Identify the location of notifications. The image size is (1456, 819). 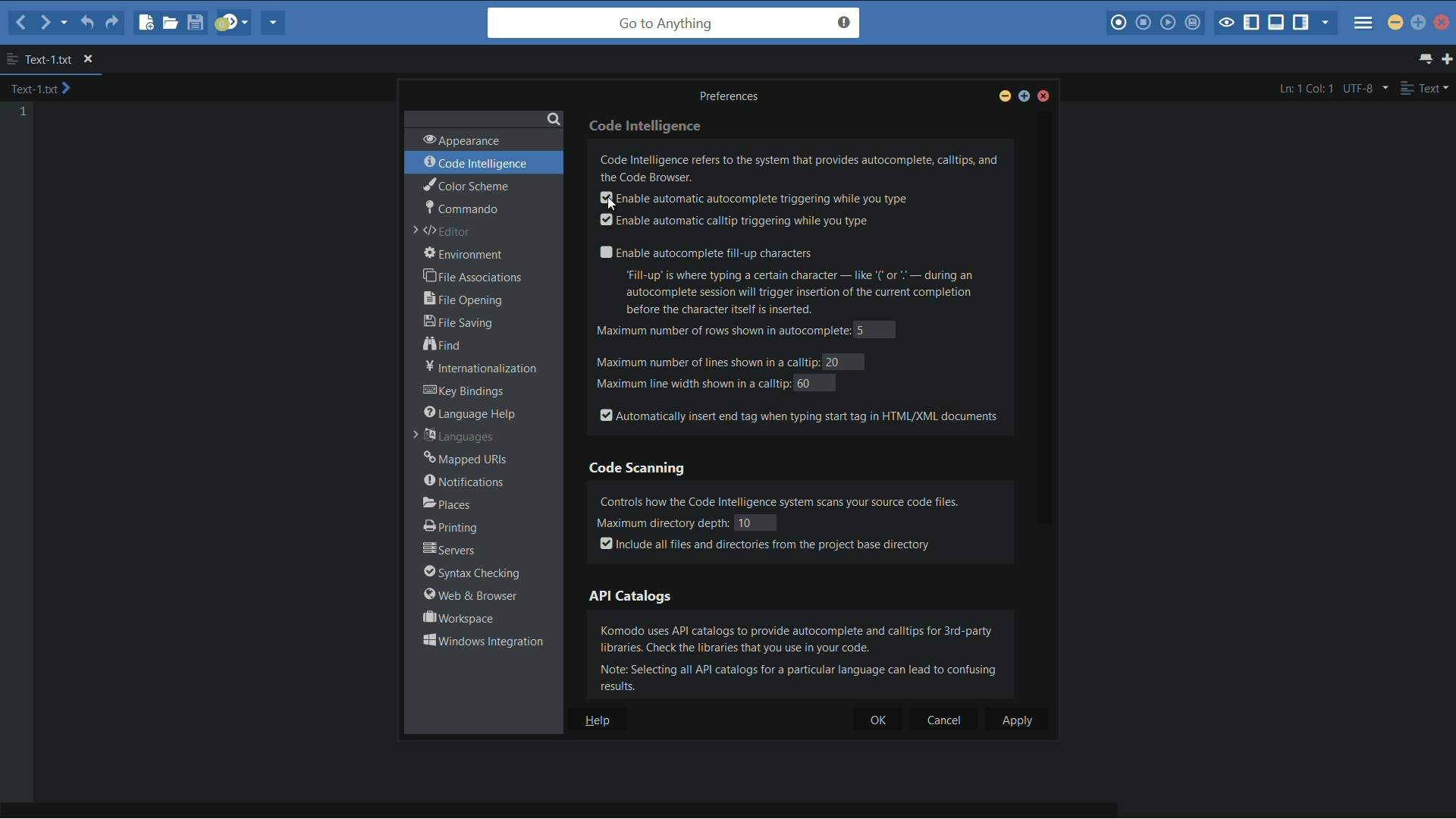
(463, 482).